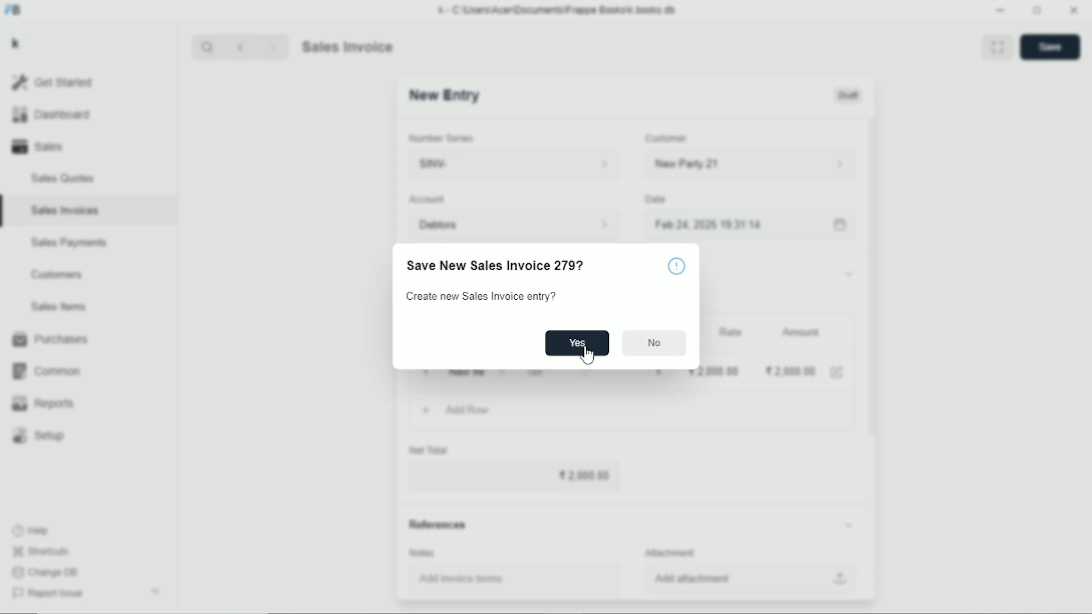 This screenshot has width=1092, height=614. Describe the element at coordinates (477, 376) in the screenshot. I see `New item 06` at that location.